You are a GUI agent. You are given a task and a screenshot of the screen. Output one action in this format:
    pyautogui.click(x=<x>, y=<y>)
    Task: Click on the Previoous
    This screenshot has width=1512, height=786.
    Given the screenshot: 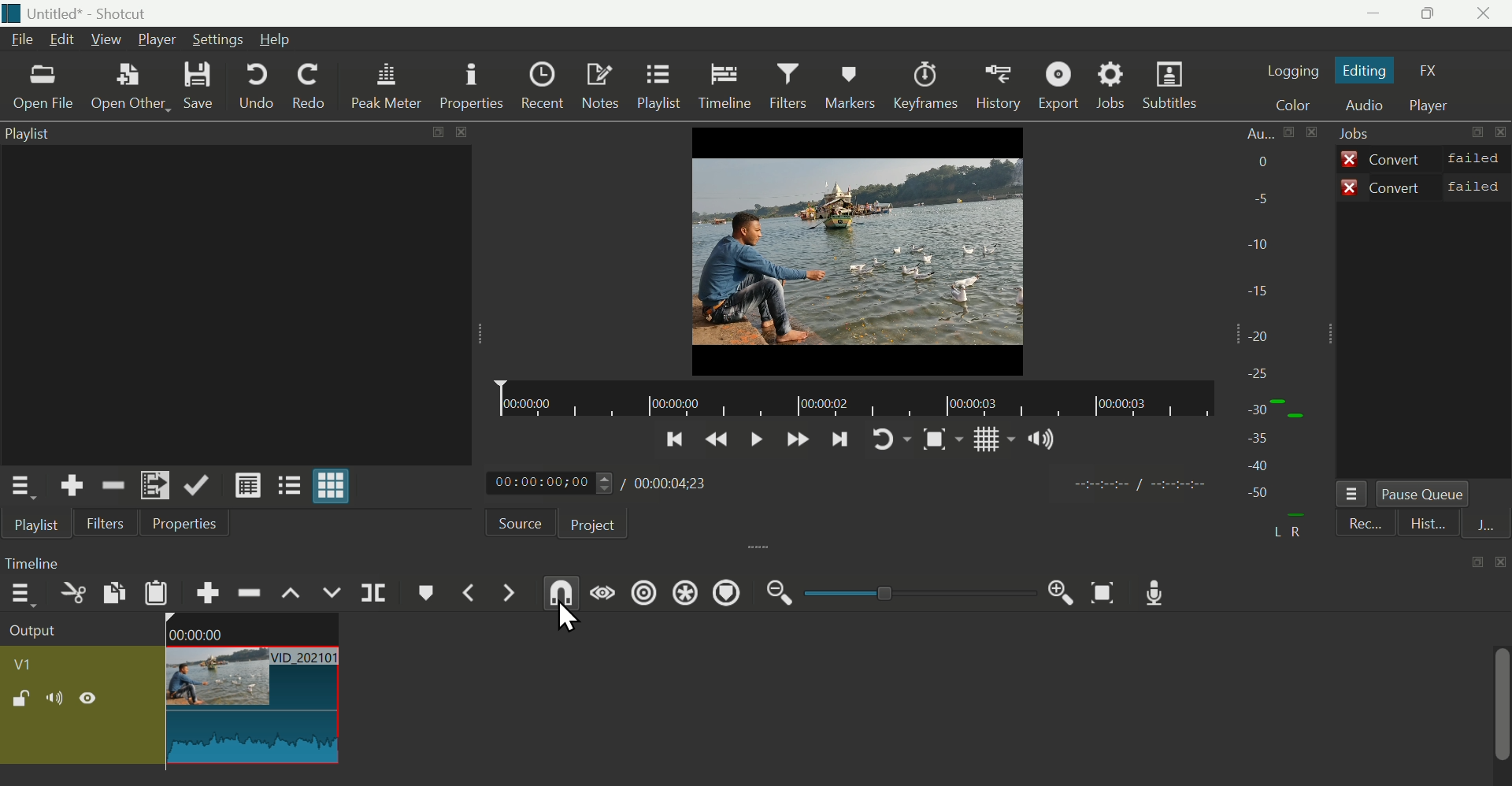 What is the action you would take?
    pyautogui.click(x=674, y=443)
    